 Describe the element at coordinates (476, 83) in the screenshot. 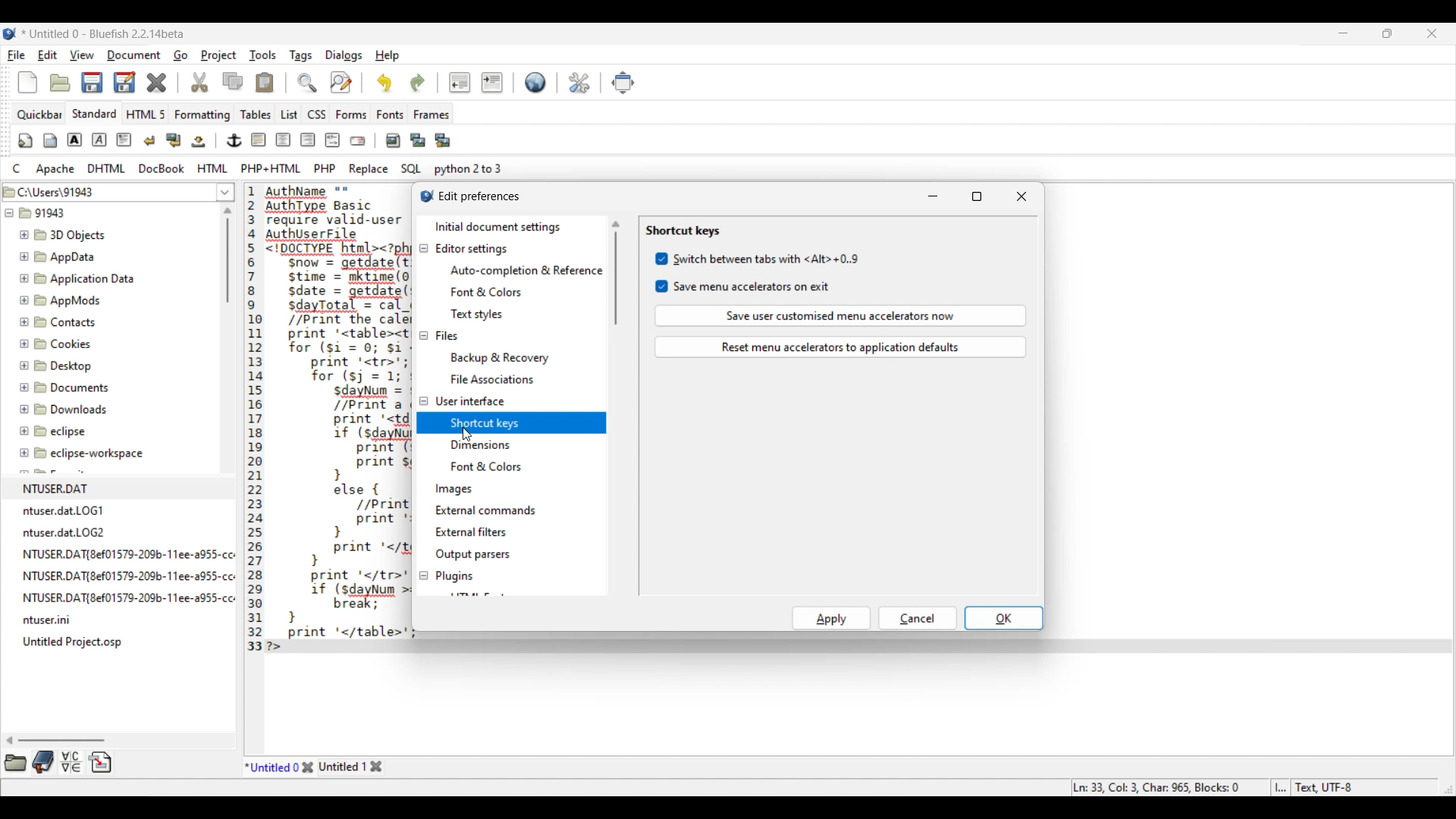

I see `Indentation` at that location.